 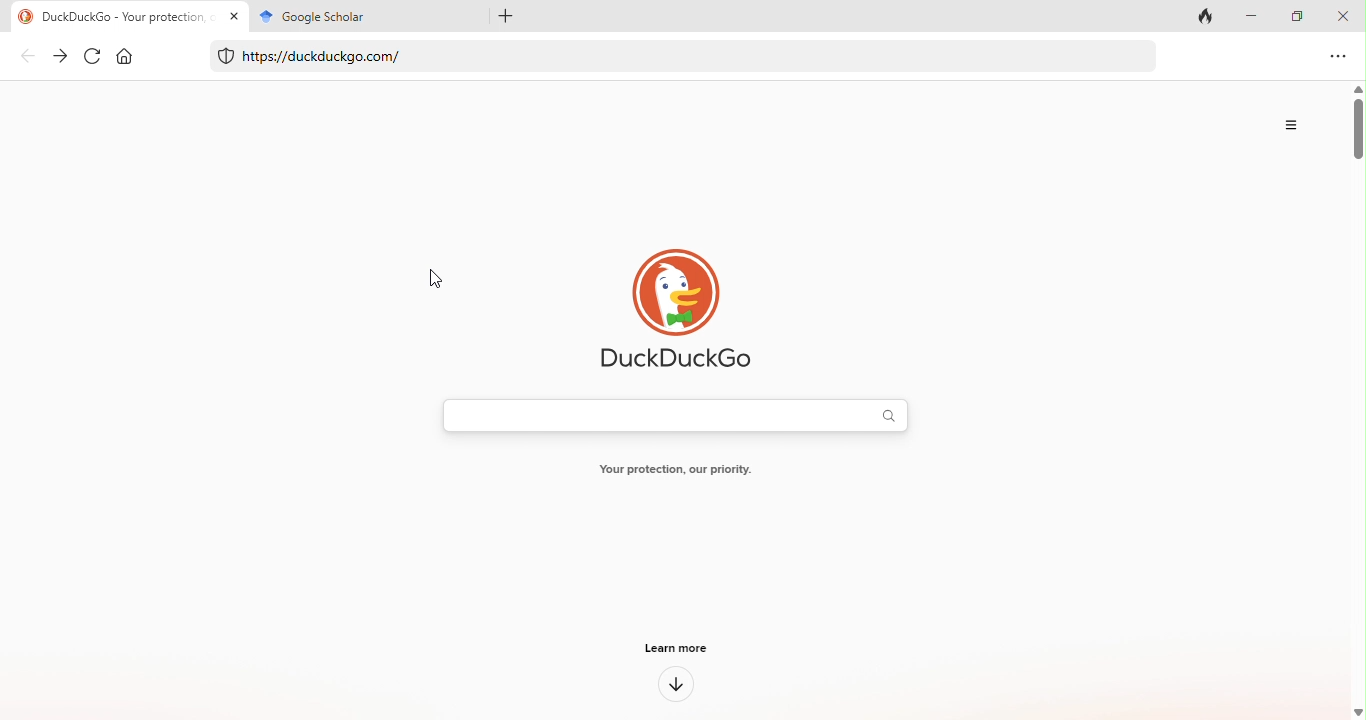 What do you see at coordinates (674, 413) in the screenshot?
I see `search bar` at bounding box center [674, 413].